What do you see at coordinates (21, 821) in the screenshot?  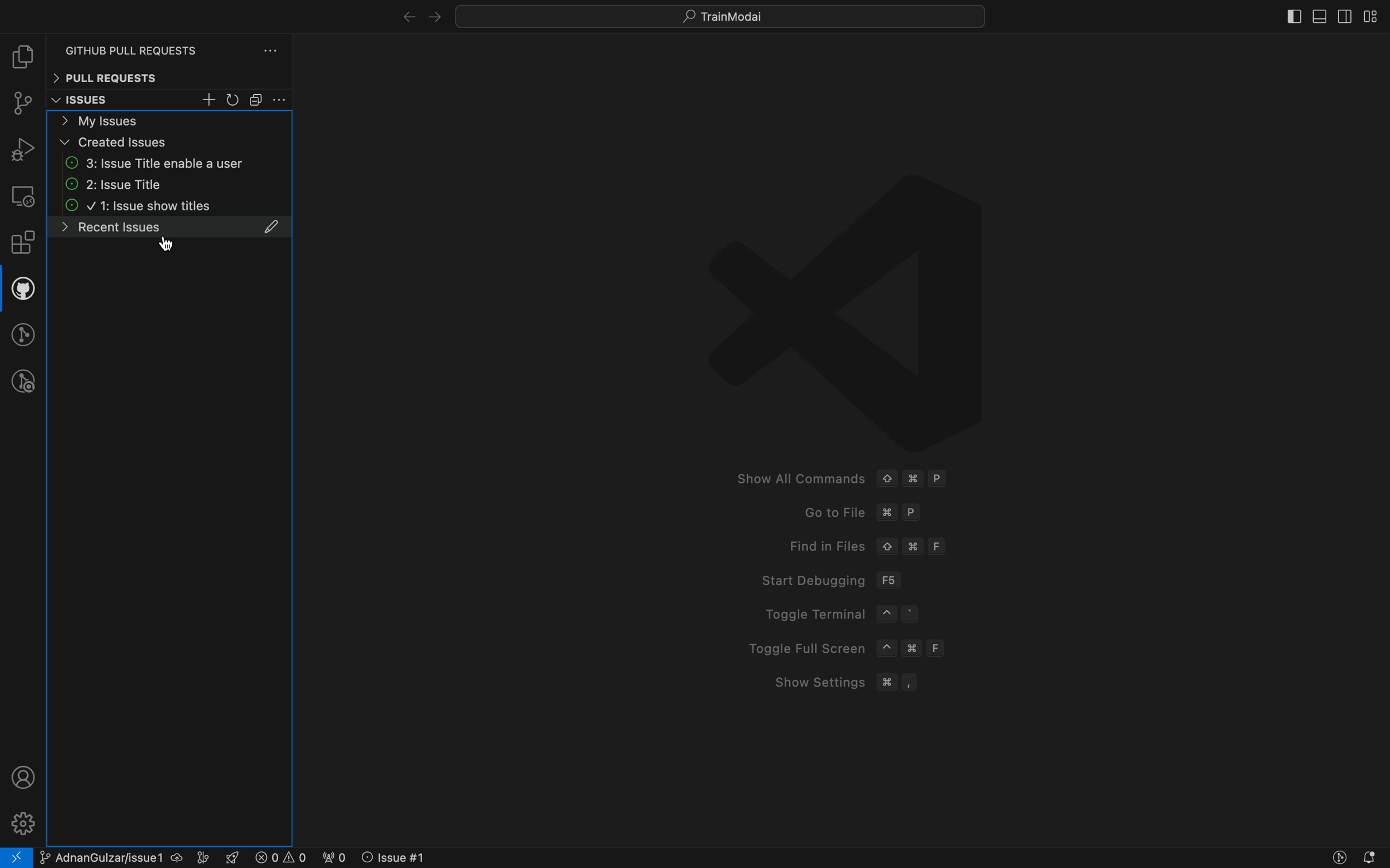 I see `settings` at bounding box center [21, 821].